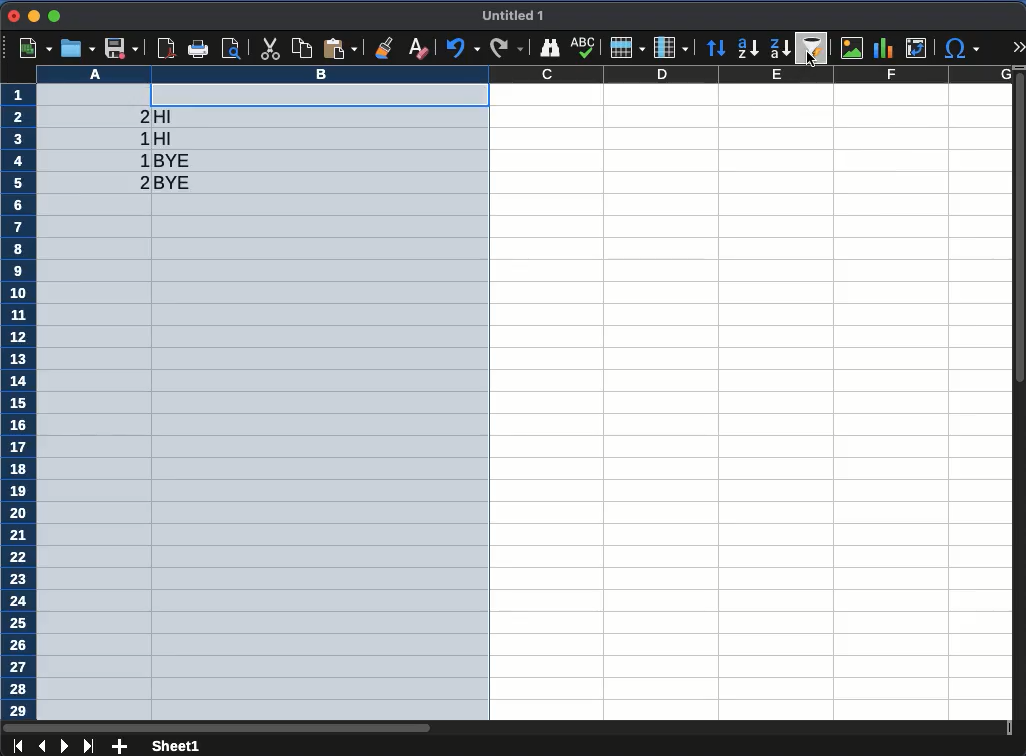 The height and width of the screenshot is (756, 1026). What do you see at coordinates (17, 745) in the screenshot?
I see `first sheet` at bounding box center [17, 745].